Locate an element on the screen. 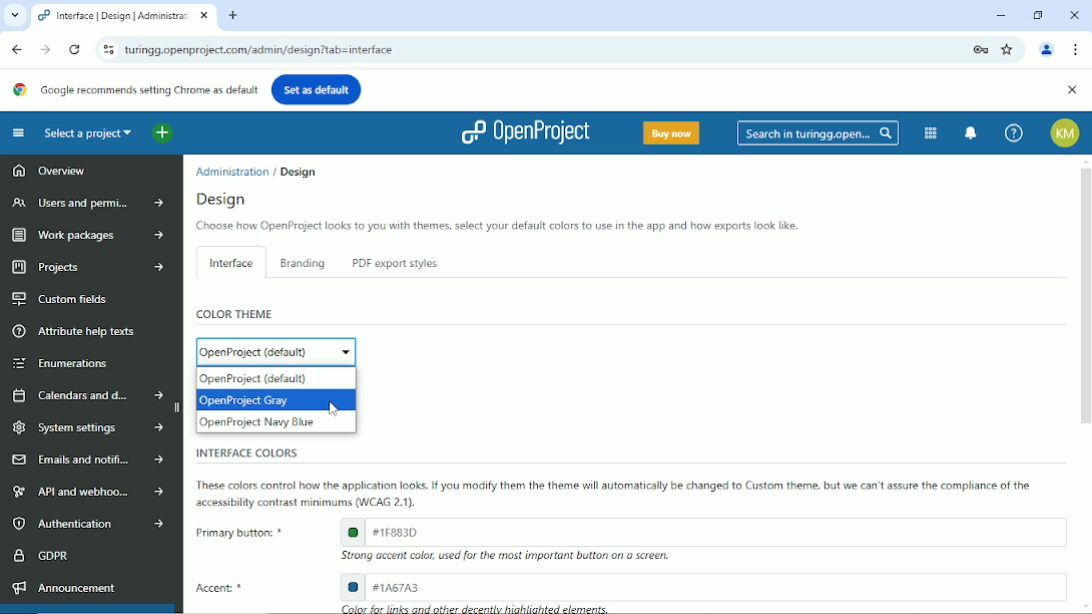 The image size is (1092, 614). System settings is located at coordinates (87, 427).